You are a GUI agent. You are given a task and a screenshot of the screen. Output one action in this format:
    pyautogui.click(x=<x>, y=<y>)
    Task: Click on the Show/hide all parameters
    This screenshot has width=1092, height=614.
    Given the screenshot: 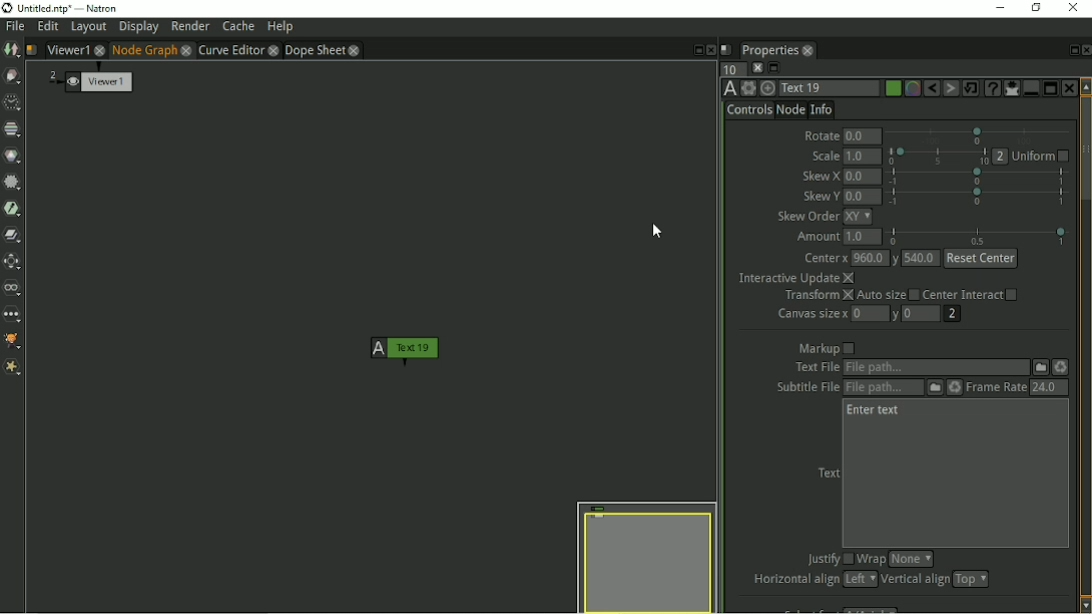 What is the action you would take?
    pyautogui.click(x=1011, y=88)
    